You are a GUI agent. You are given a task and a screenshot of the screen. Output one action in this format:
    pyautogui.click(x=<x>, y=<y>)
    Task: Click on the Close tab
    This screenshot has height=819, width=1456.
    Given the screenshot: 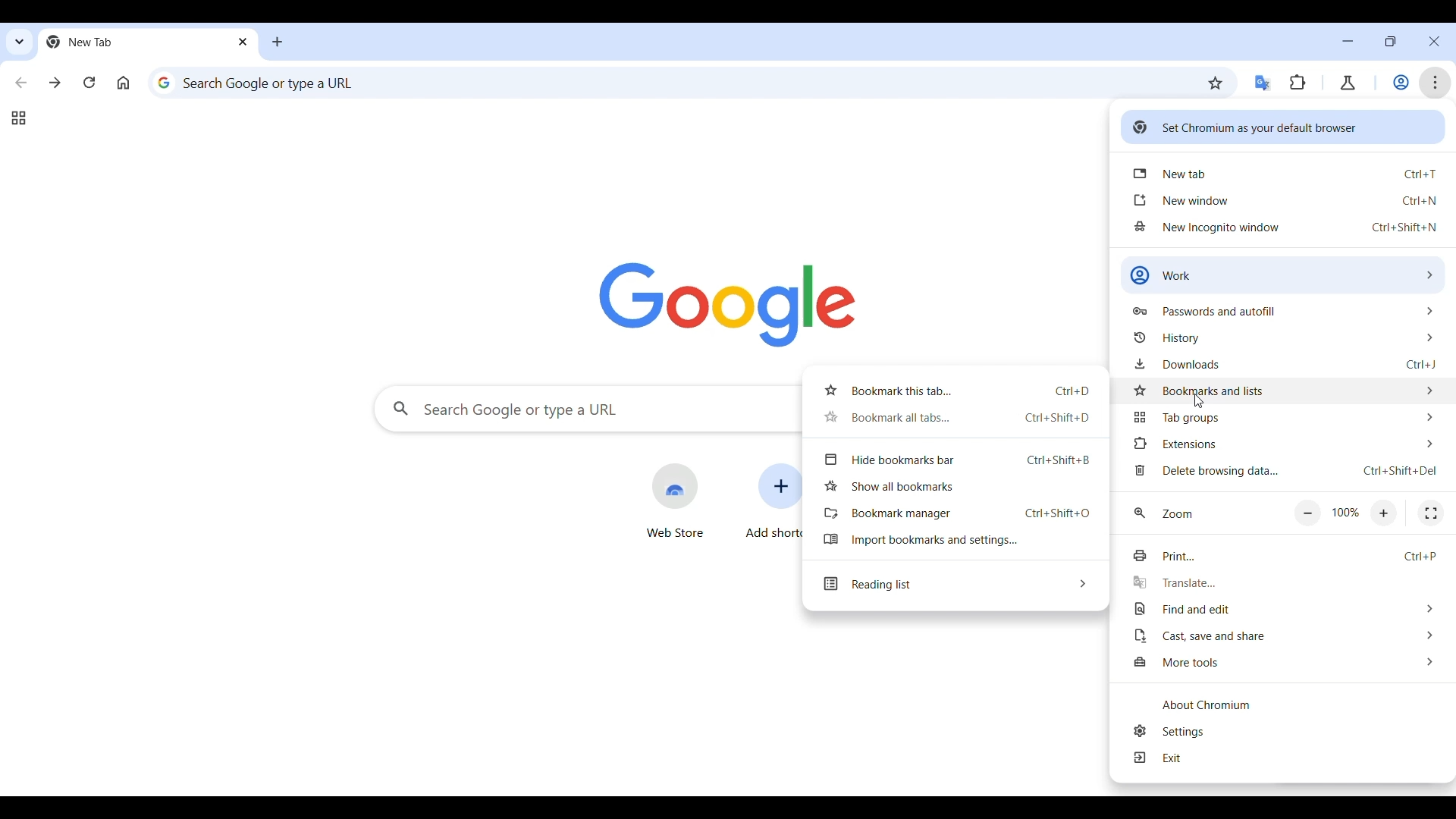 What is the action you would take?
    pyautogui.click(x=245, y=41)
    